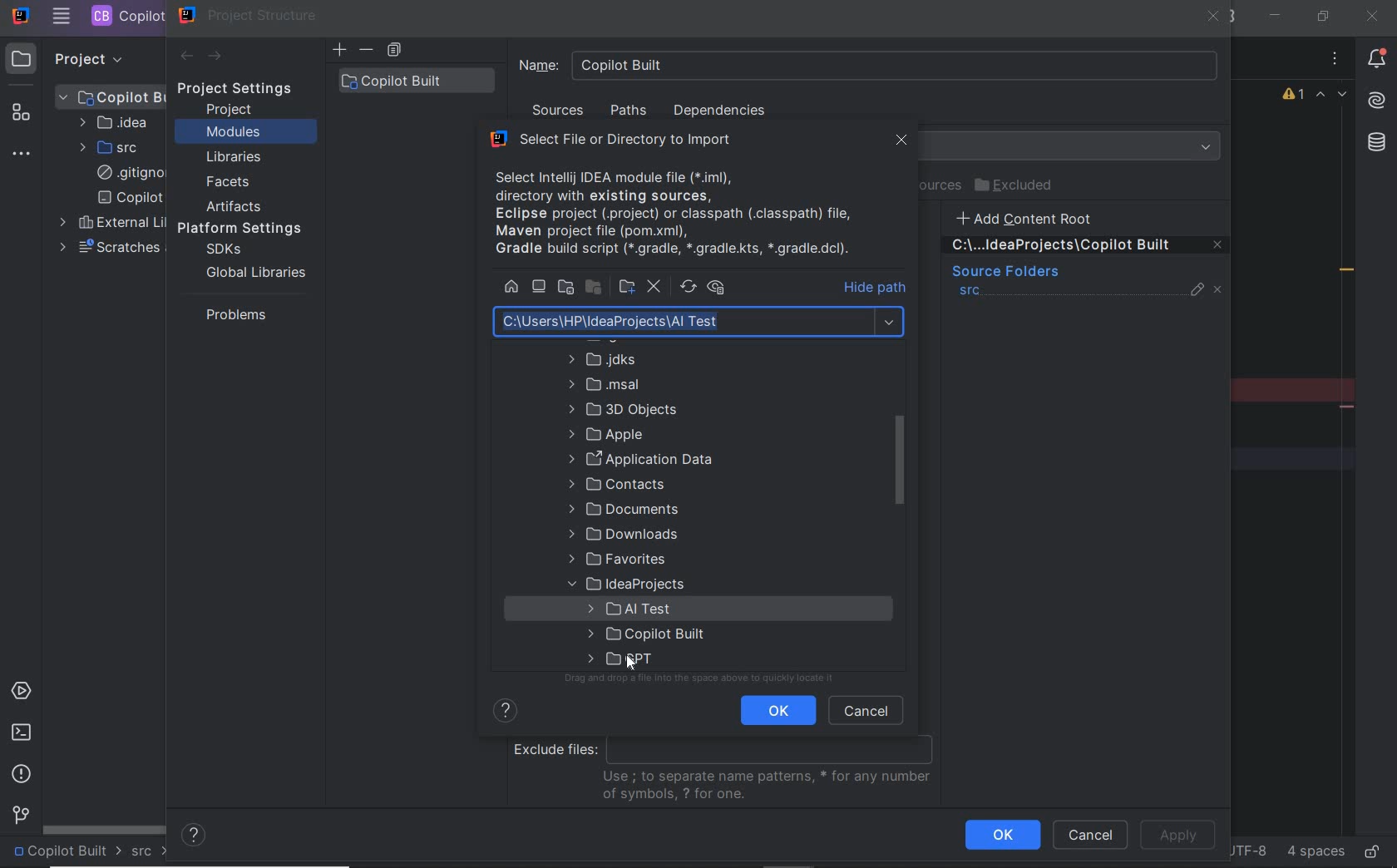  I want to click on folder, so click(620, 359).